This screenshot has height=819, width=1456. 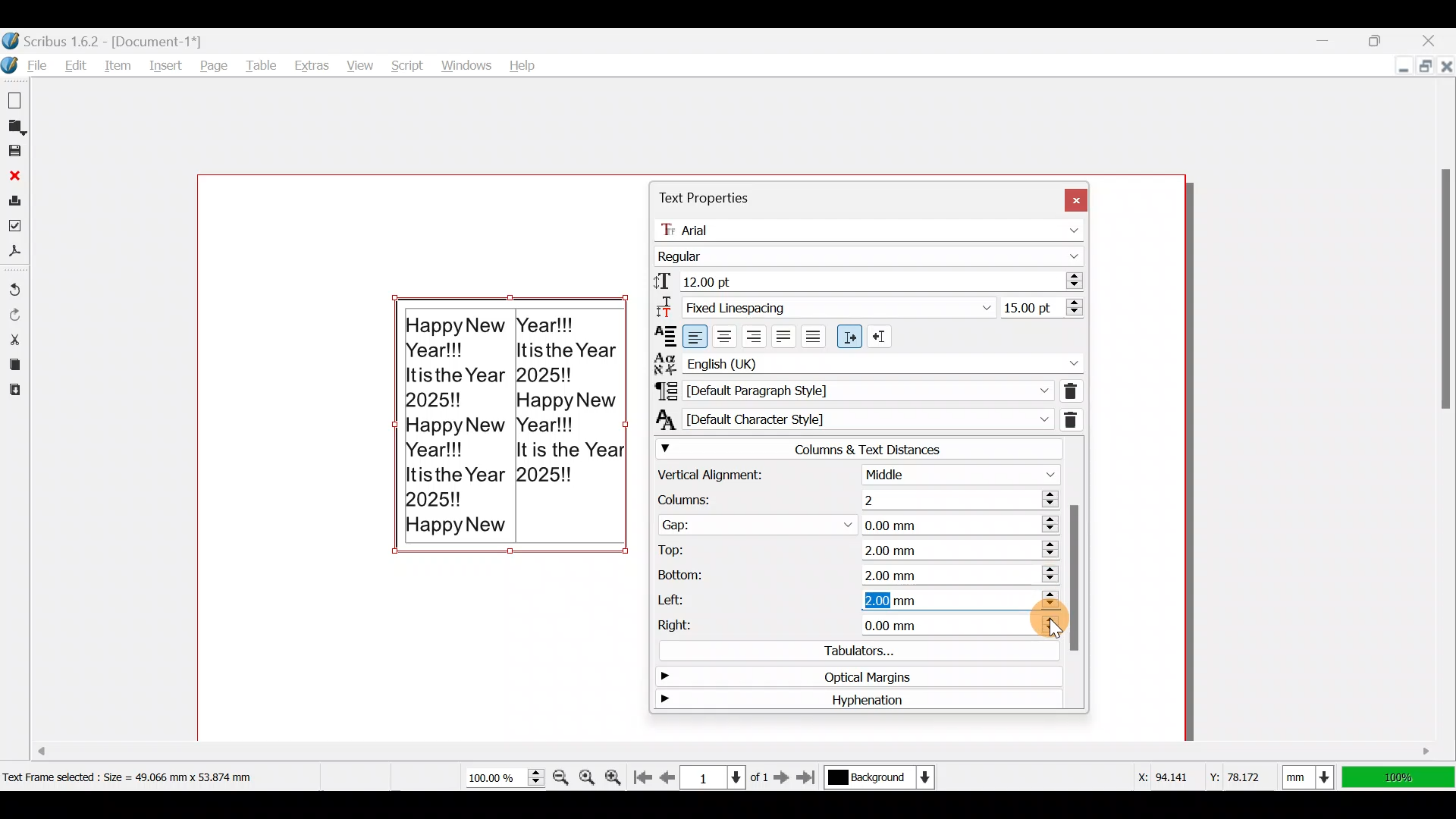 I want to click on Close, so click(x=14, y=177).